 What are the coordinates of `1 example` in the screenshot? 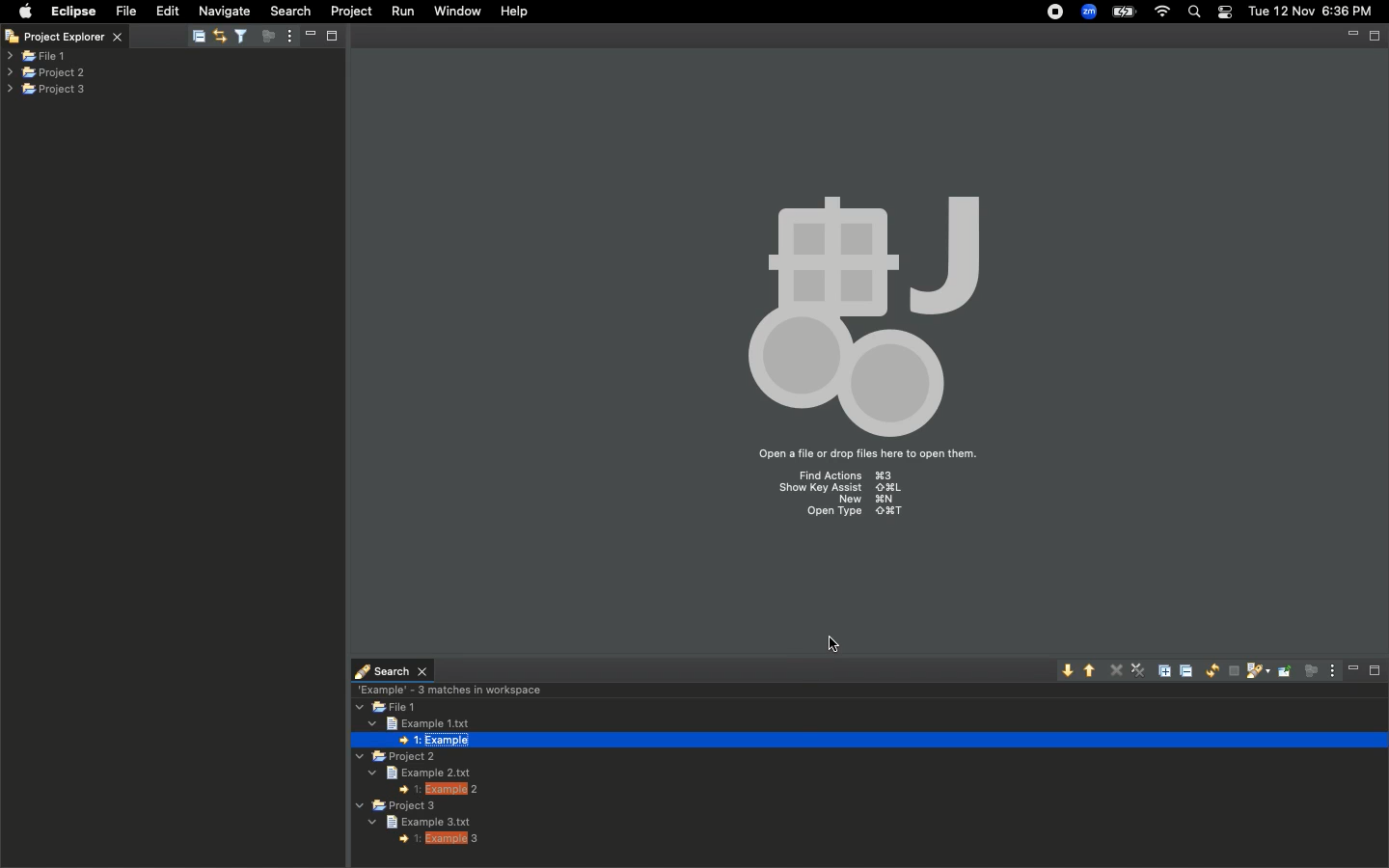 It's located at (437, 742).